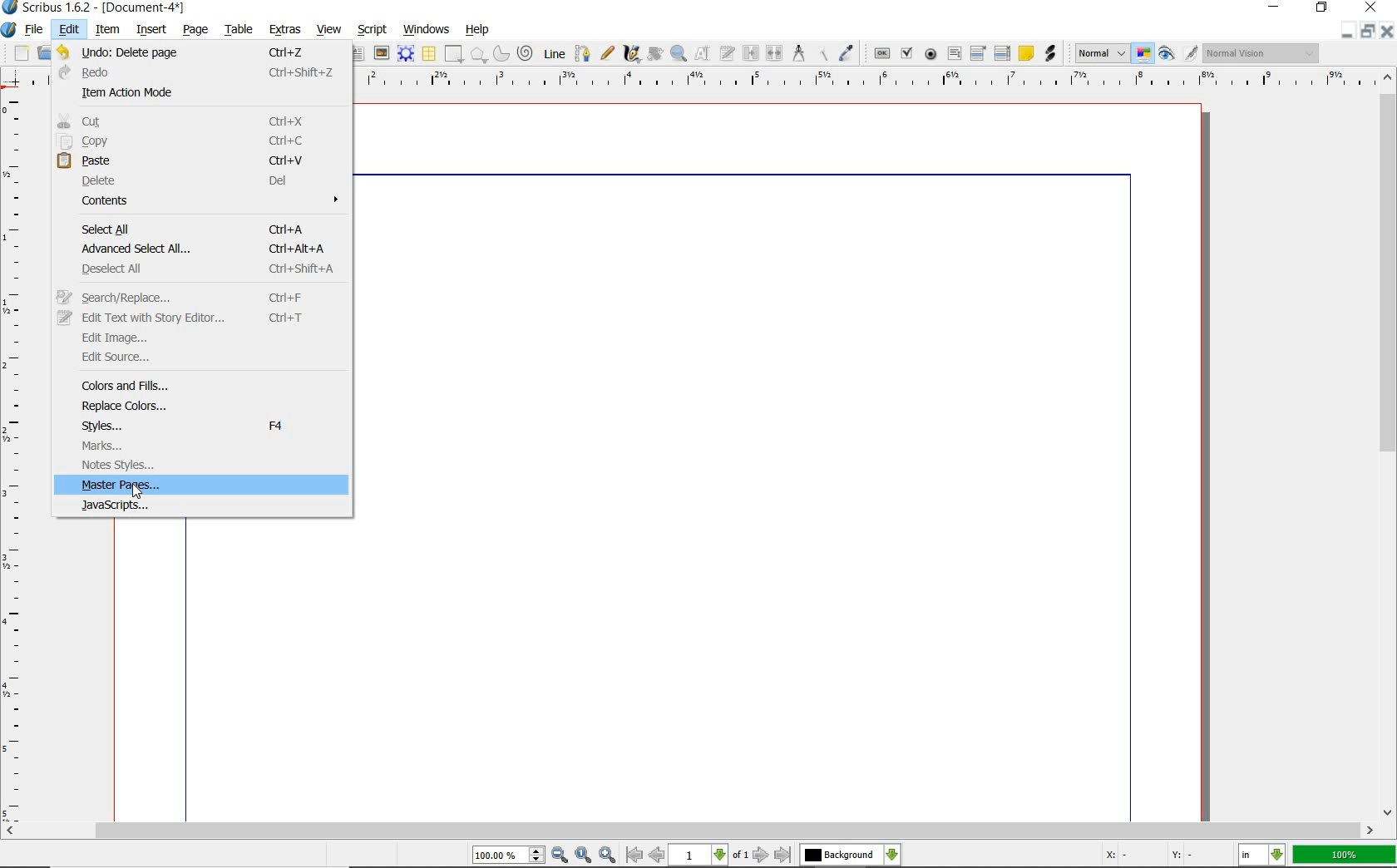  Describe the element at coordinates (137, 492) in the screenshot. I see `Cursor` at that location.